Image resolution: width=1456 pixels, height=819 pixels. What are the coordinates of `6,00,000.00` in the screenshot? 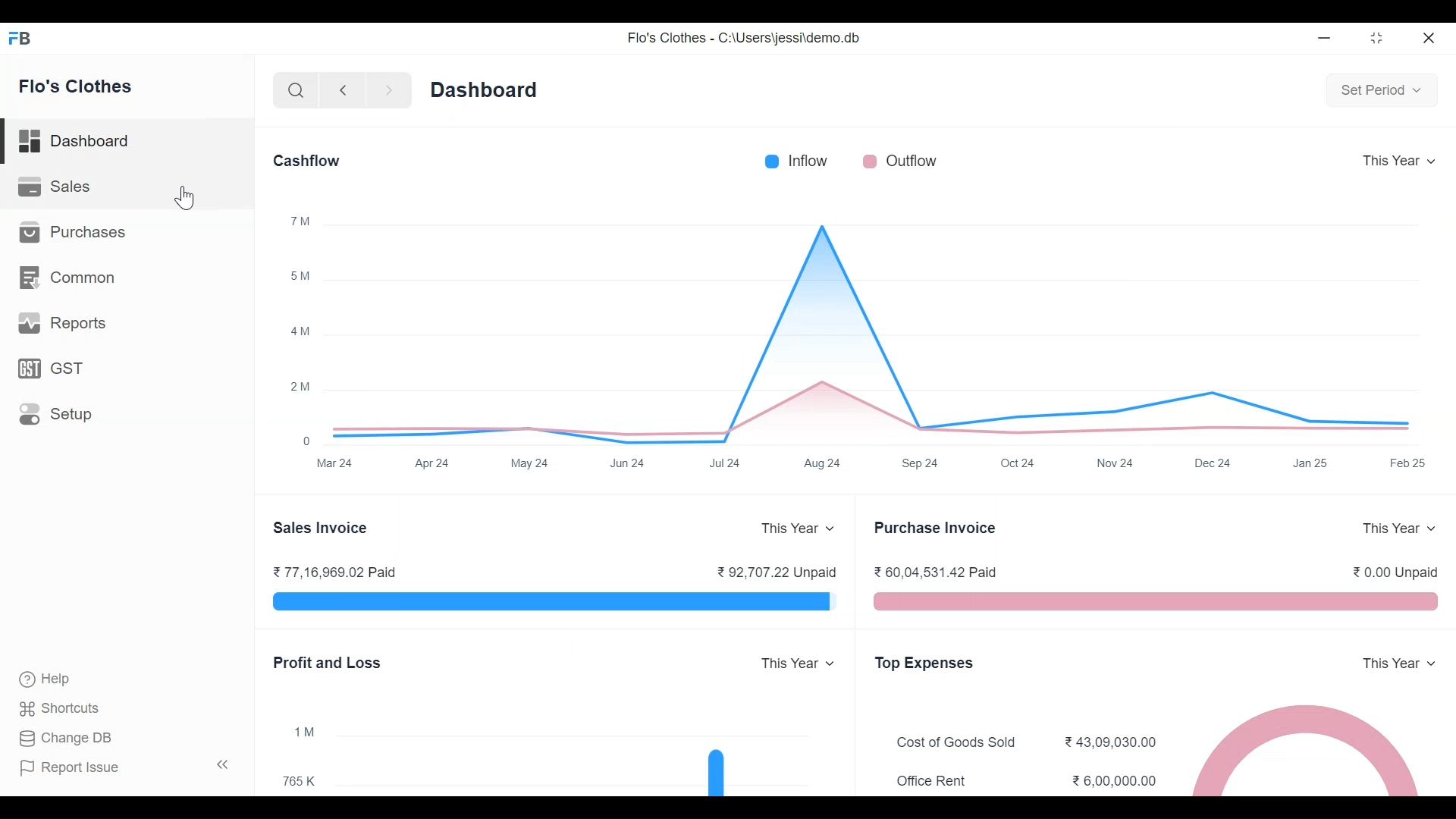 It's located at (1115, 779).